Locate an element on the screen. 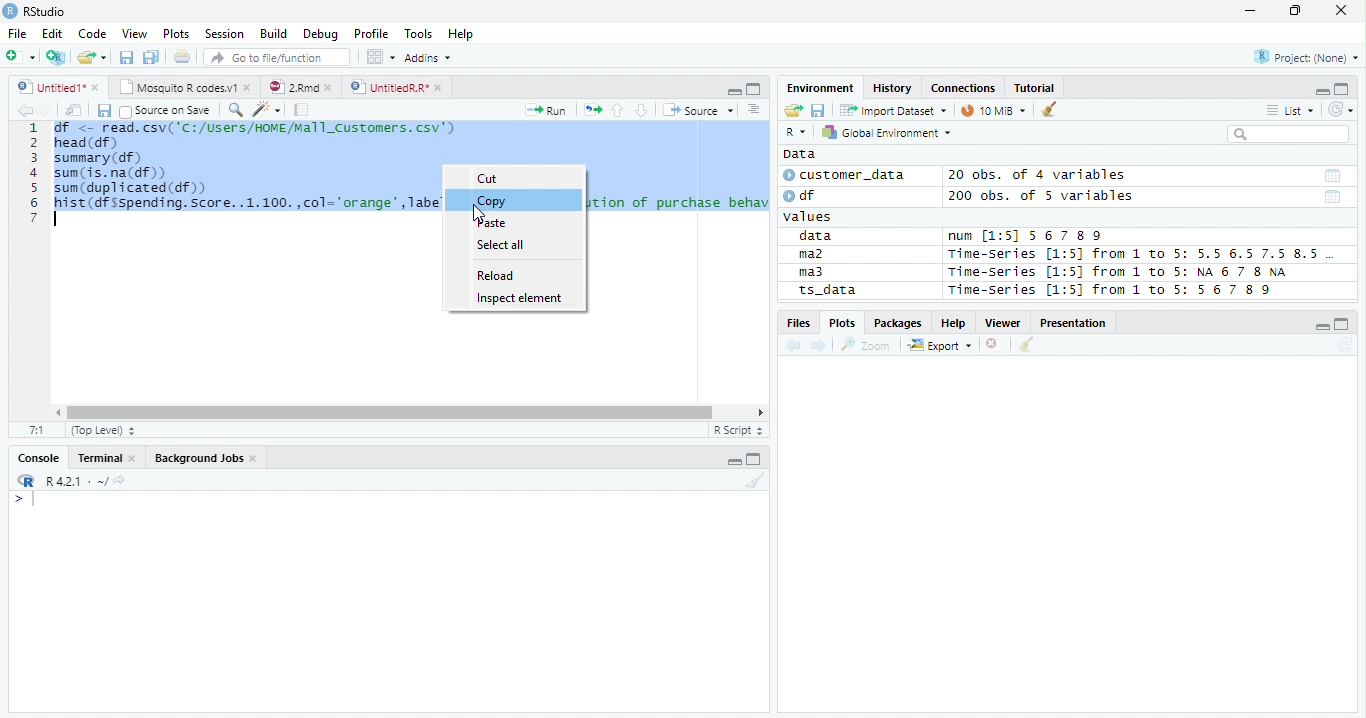 The width and height of the screenshot is (1366, 718). Presentation is located at coordinates (1076, 323).